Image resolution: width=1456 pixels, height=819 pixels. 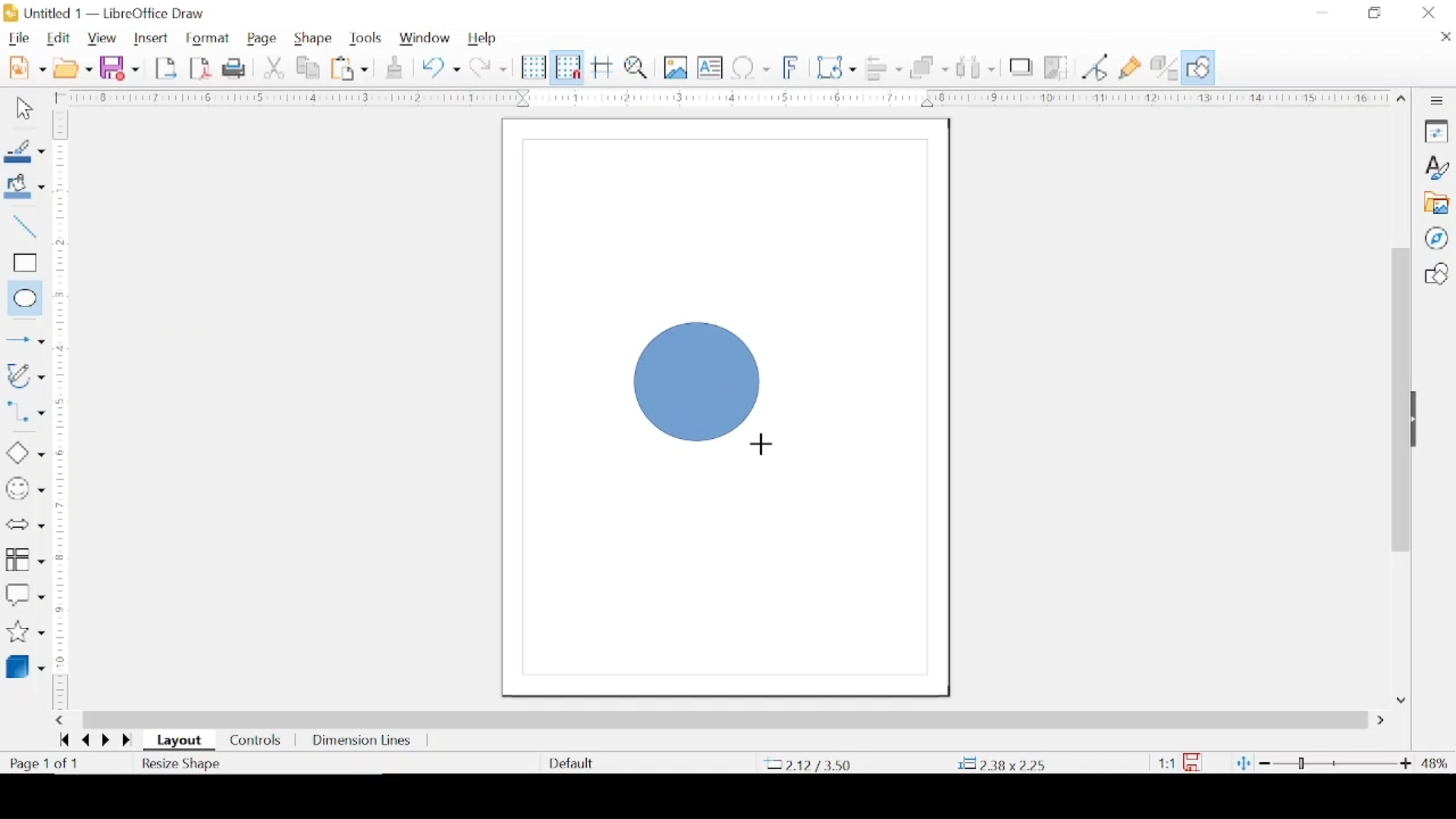 I want to click on page, so click(x=264, y=39).